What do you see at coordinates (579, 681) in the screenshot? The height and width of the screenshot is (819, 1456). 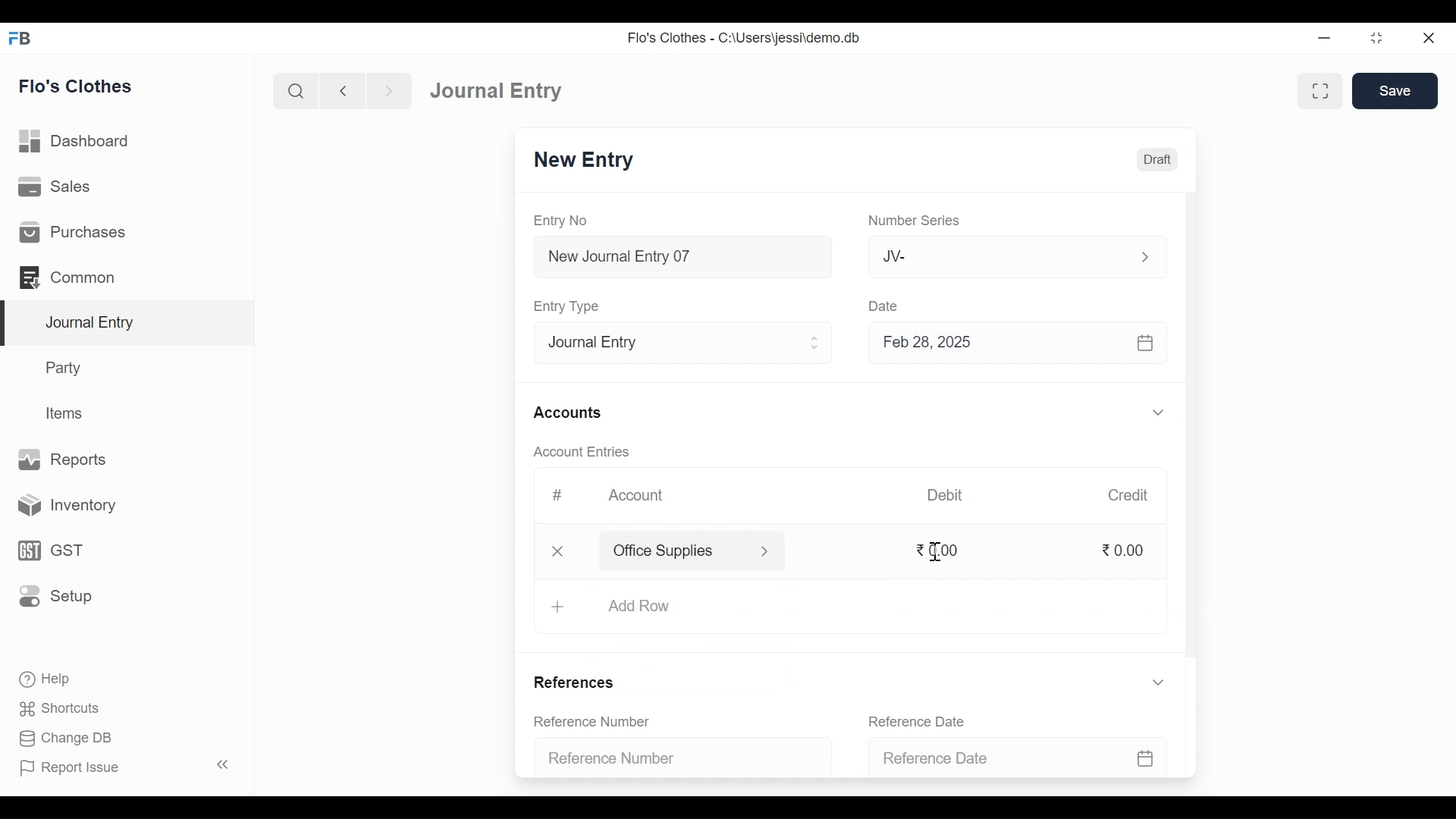 I see `References` at bounding box center [579, 681].